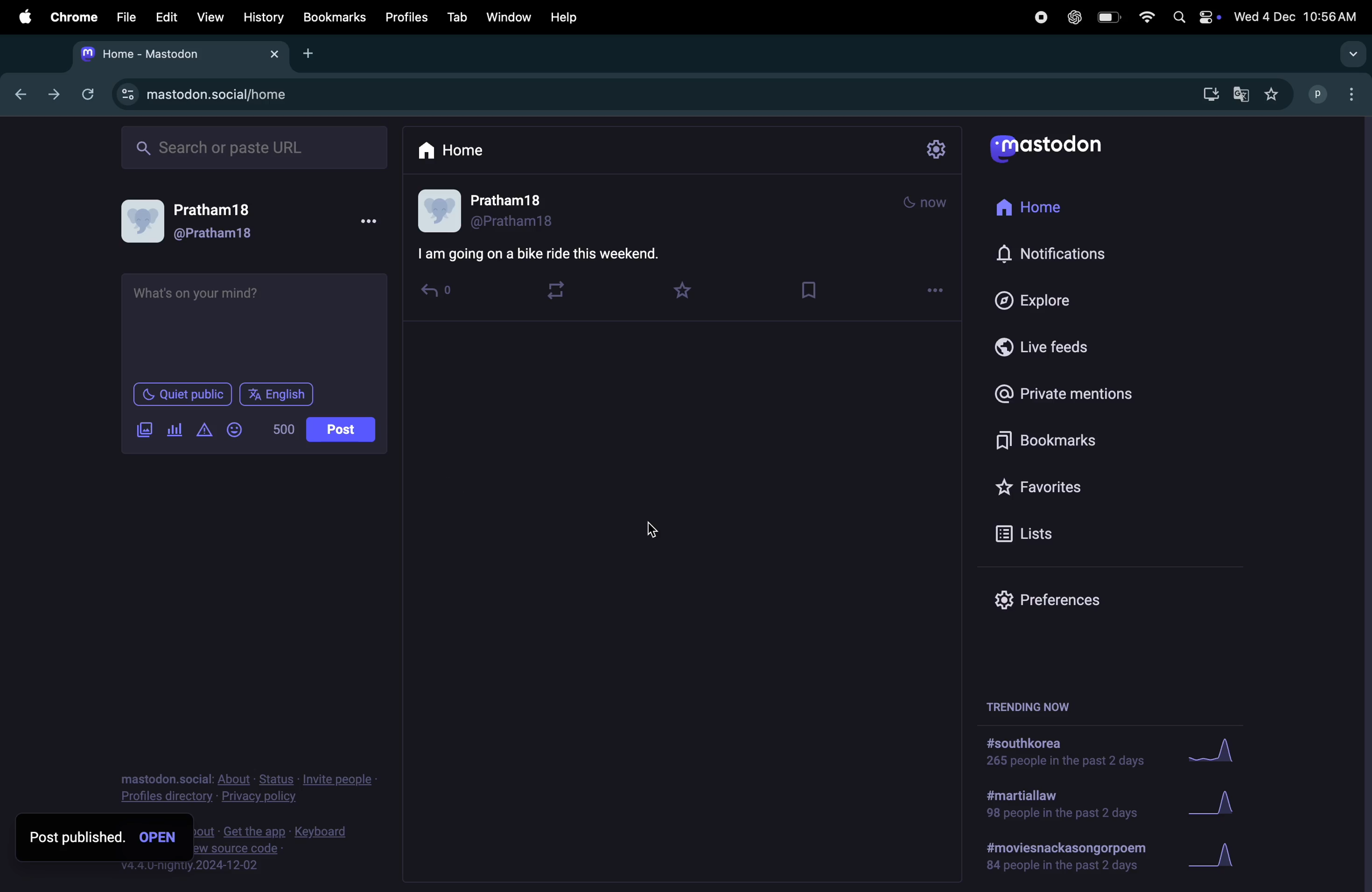  I want to click on reply, so click(439, 293).